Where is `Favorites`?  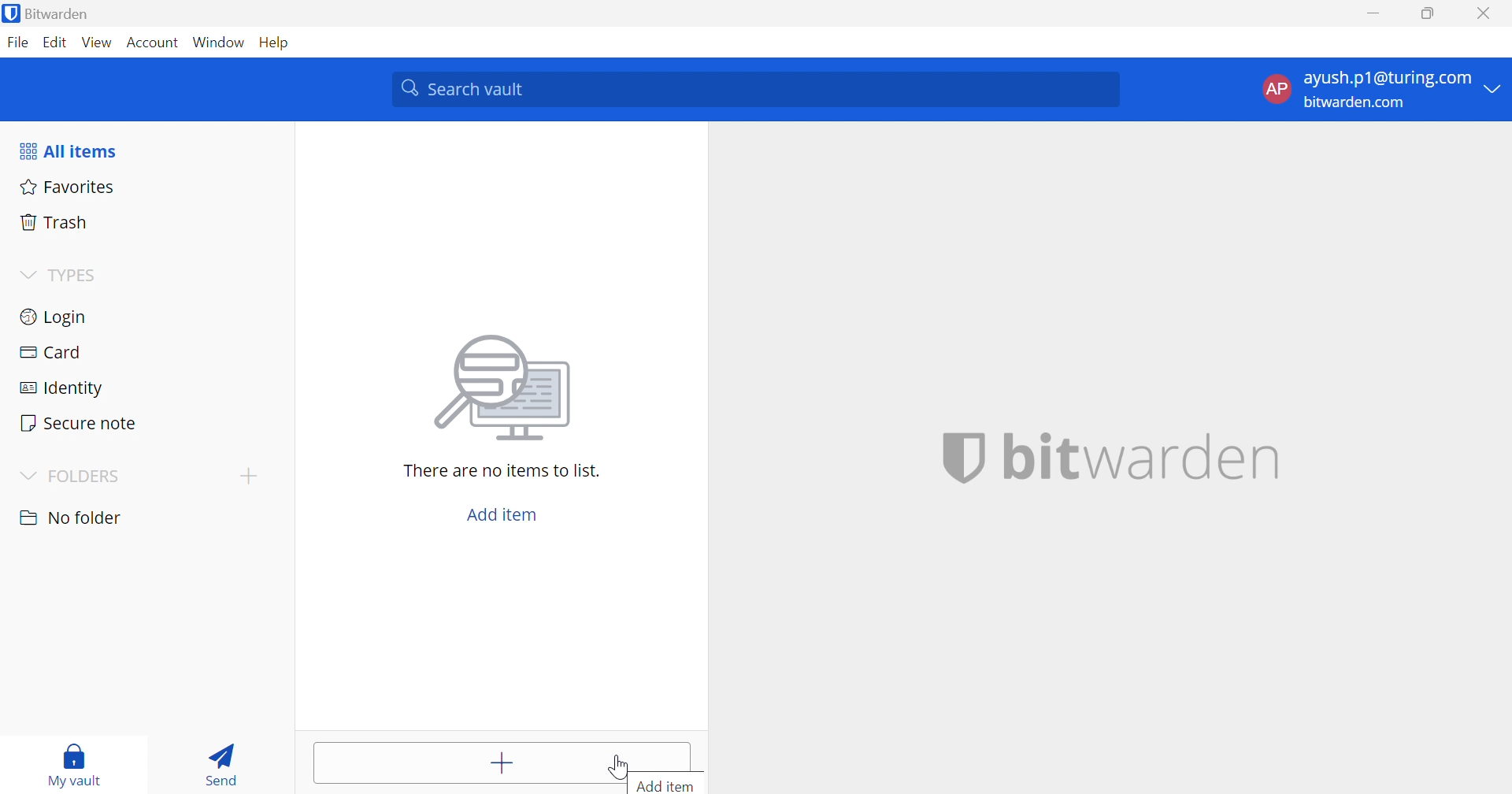 Favorites is located at coordinates (65, 185).